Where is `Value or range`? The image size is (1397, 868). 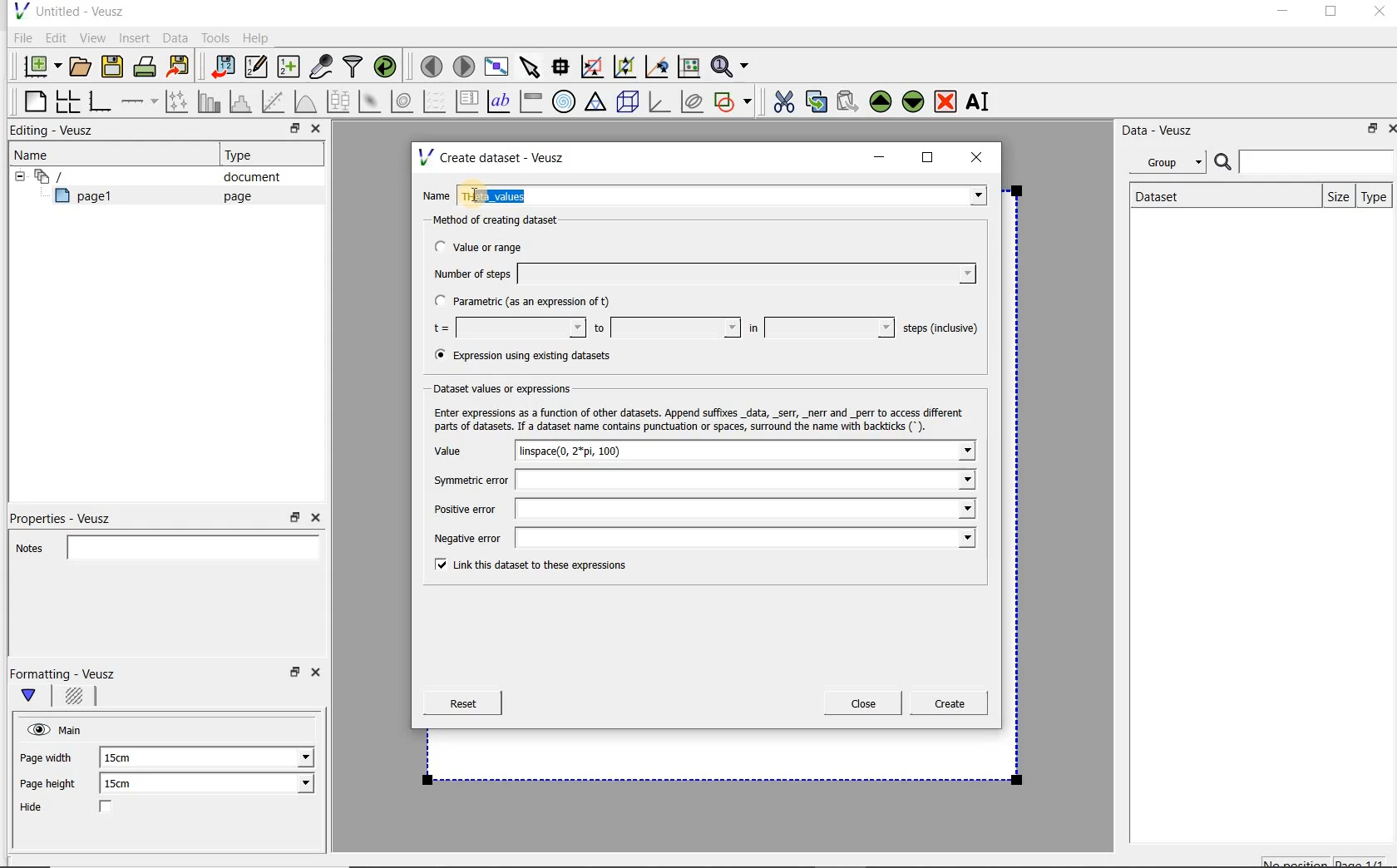 Value or range is located at coordinates (493, 244).